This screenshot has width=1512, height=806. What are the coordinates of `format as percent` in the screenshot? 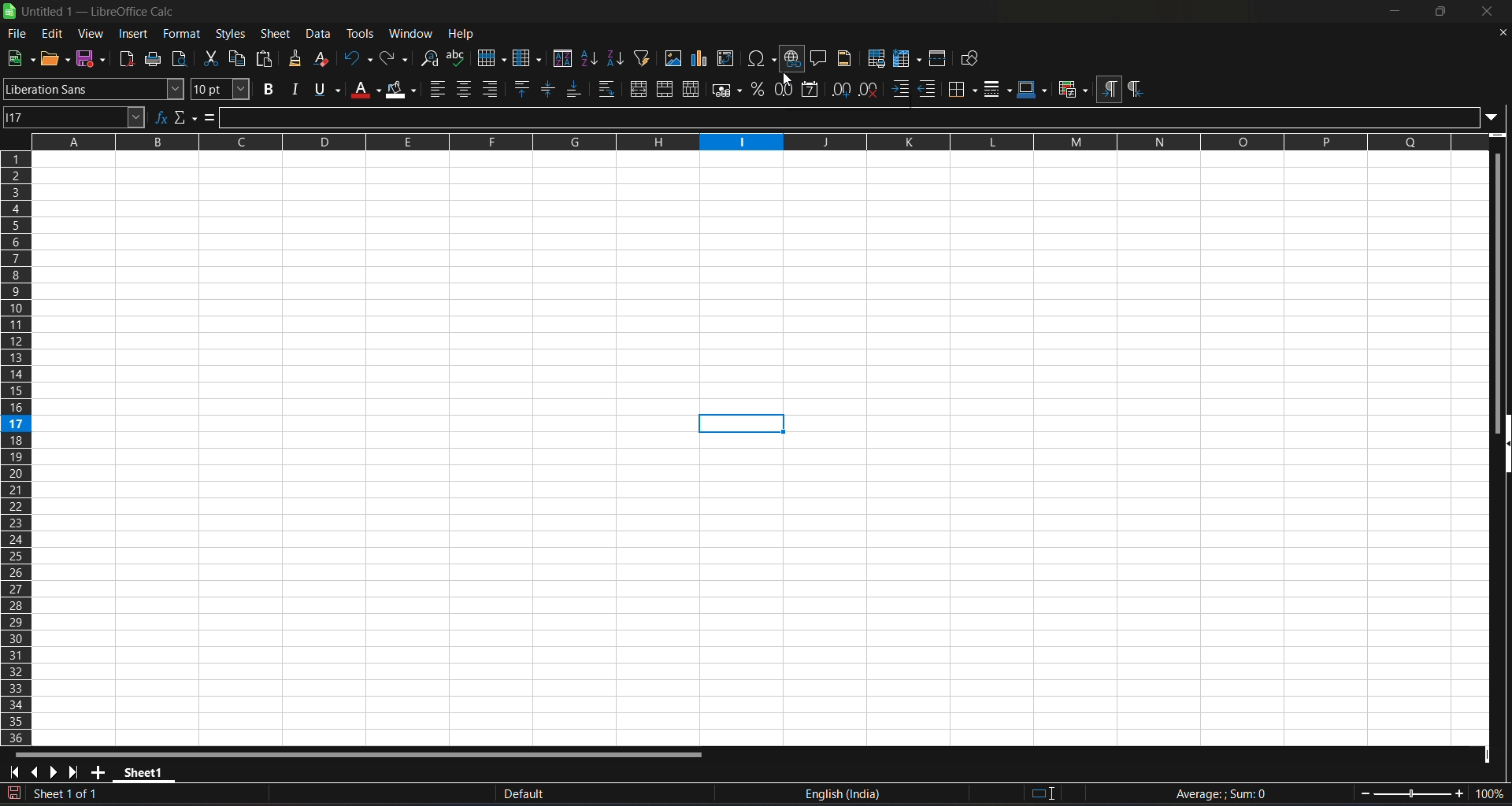 It's located at (757, 90).